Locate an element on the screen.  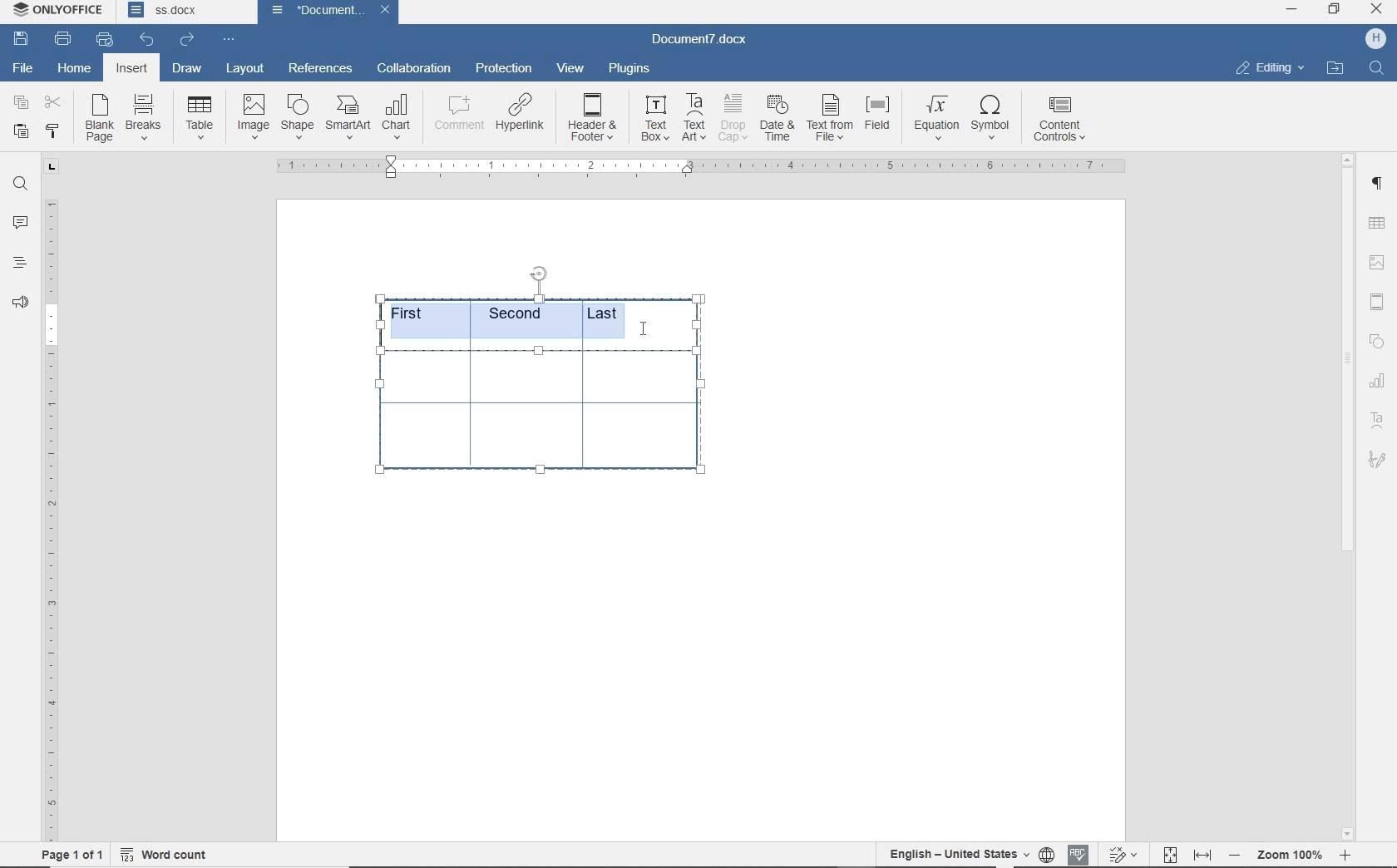
chart is located at coordinates (399, 118).